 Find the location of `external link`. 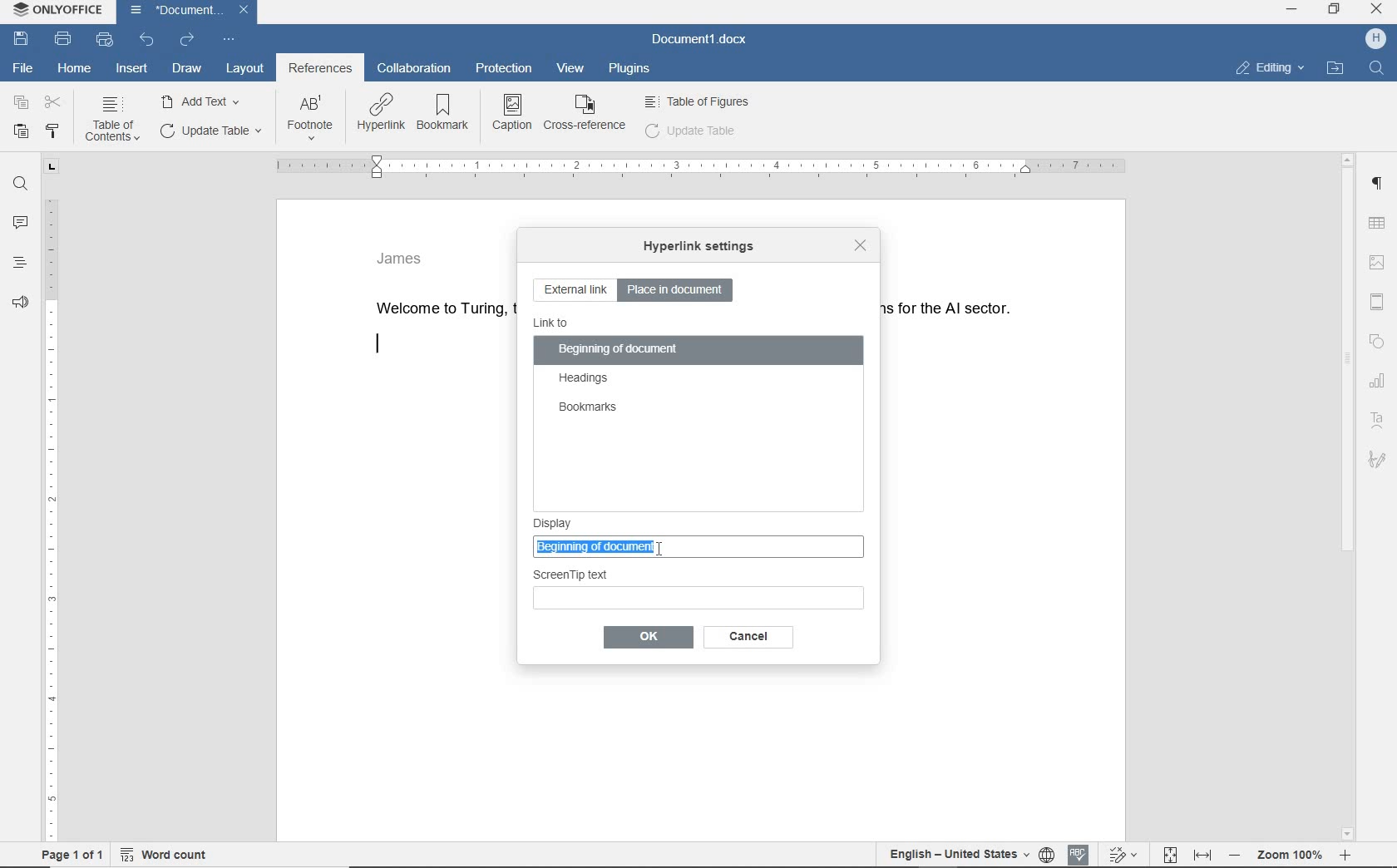

external link is located at coordinates (575, 291).